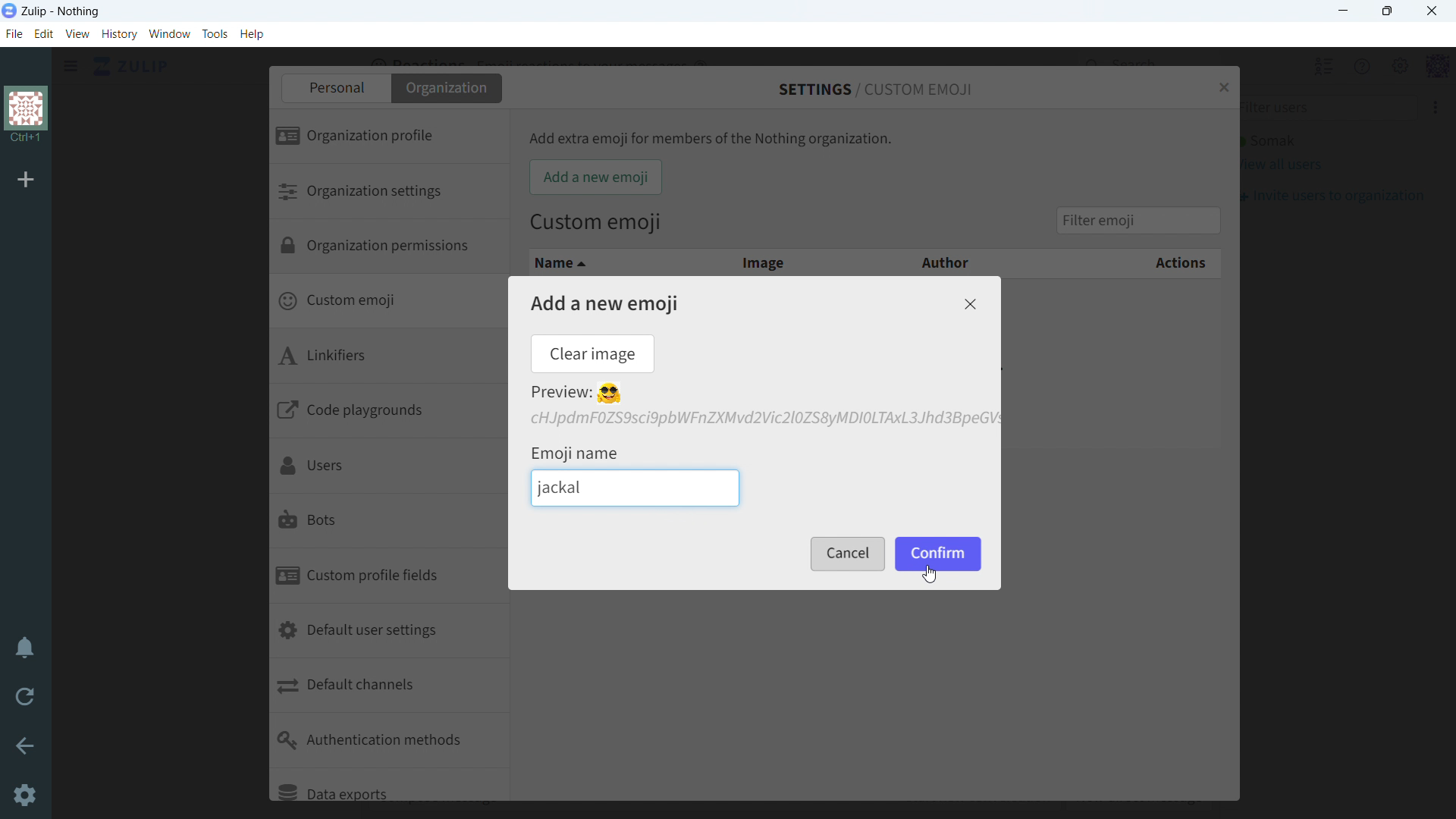  Describe the element at coordinates (591, 353) in the screenshot. I see `clear image` at that location.